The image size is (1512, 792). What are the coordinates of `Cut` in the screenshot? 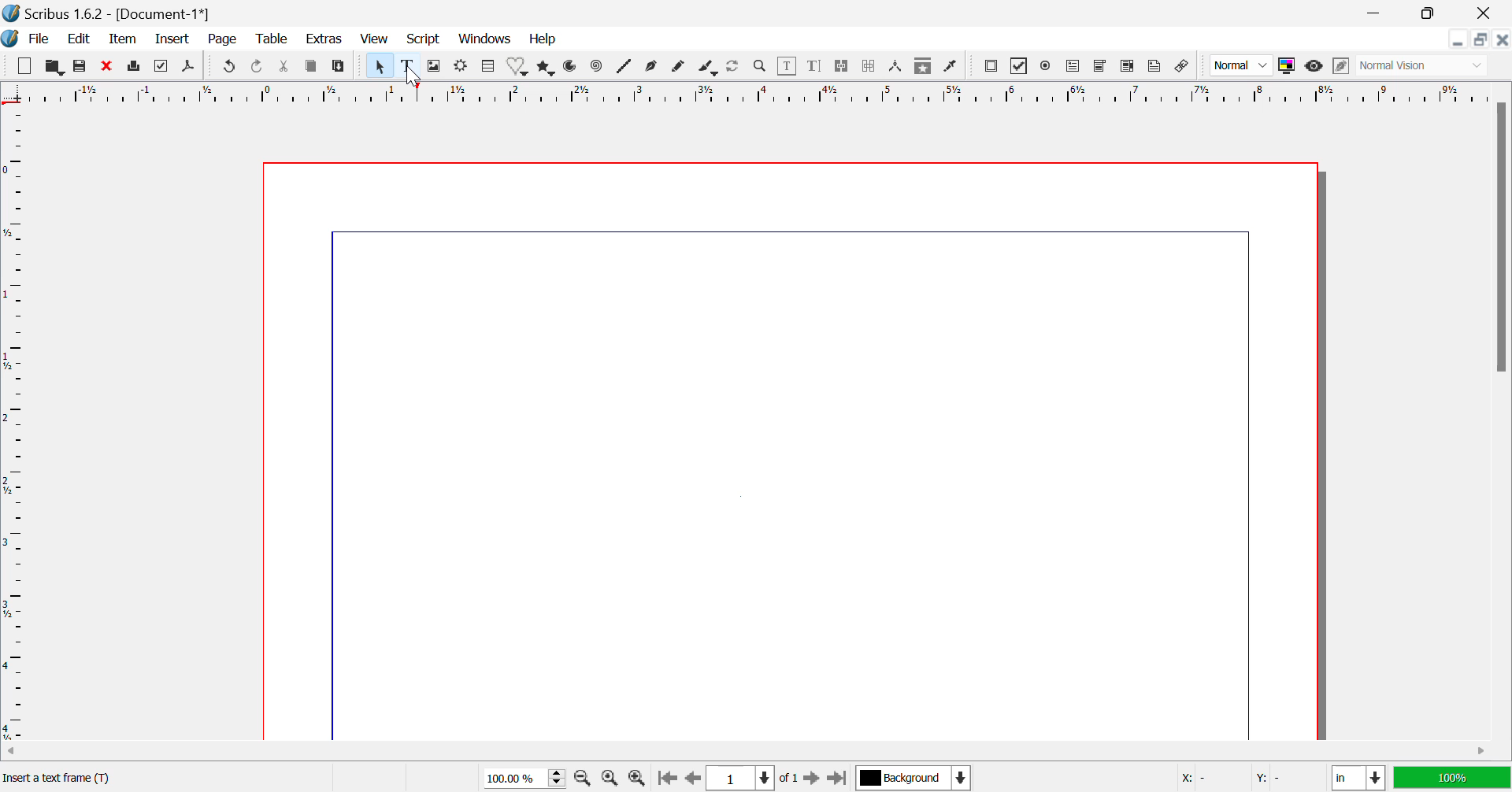 It's located at (284, 66).